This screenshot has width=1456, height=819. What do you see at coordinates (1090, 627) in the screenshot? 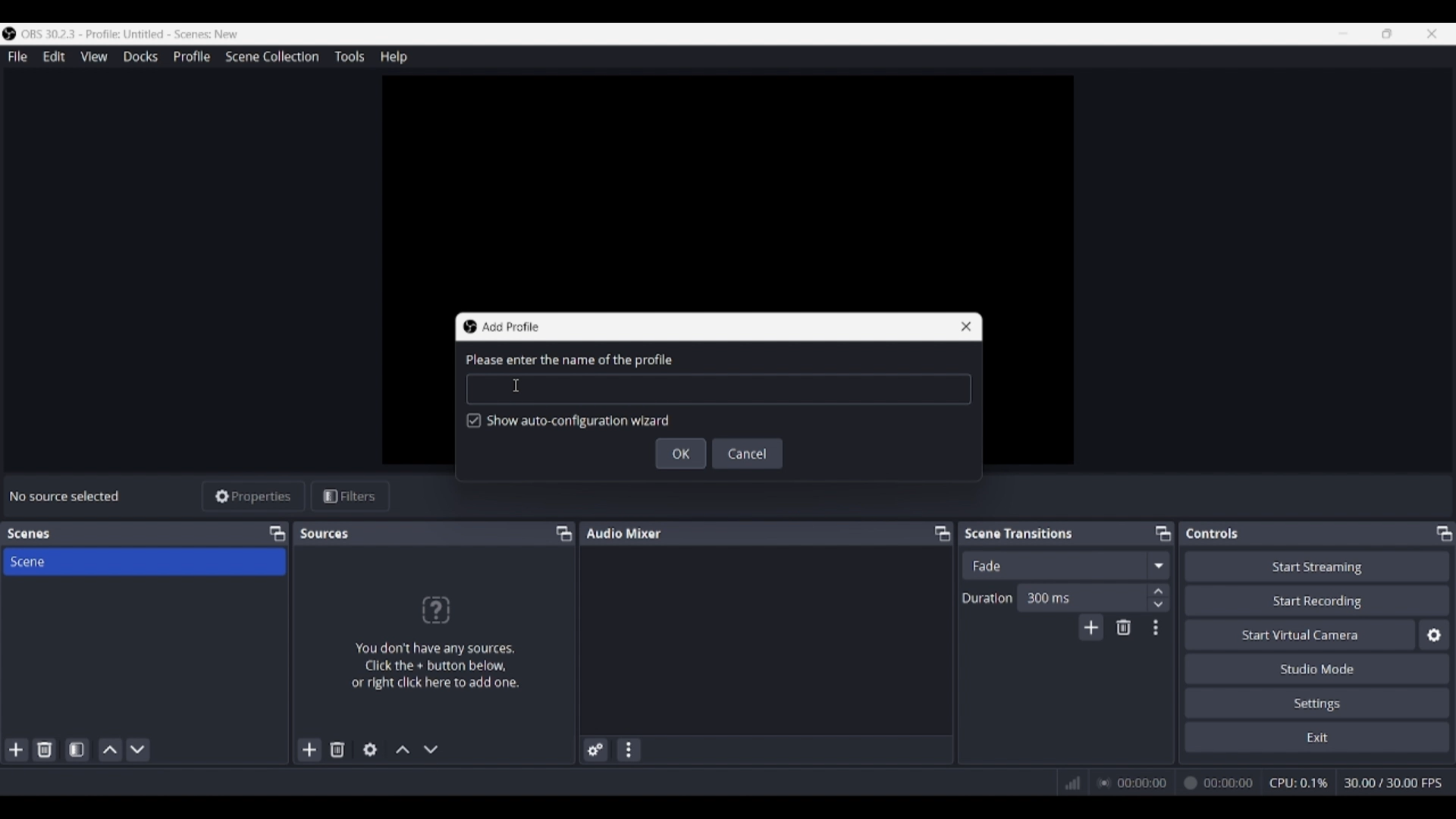
I see `Add transition` at bounding box center [1090, 627].